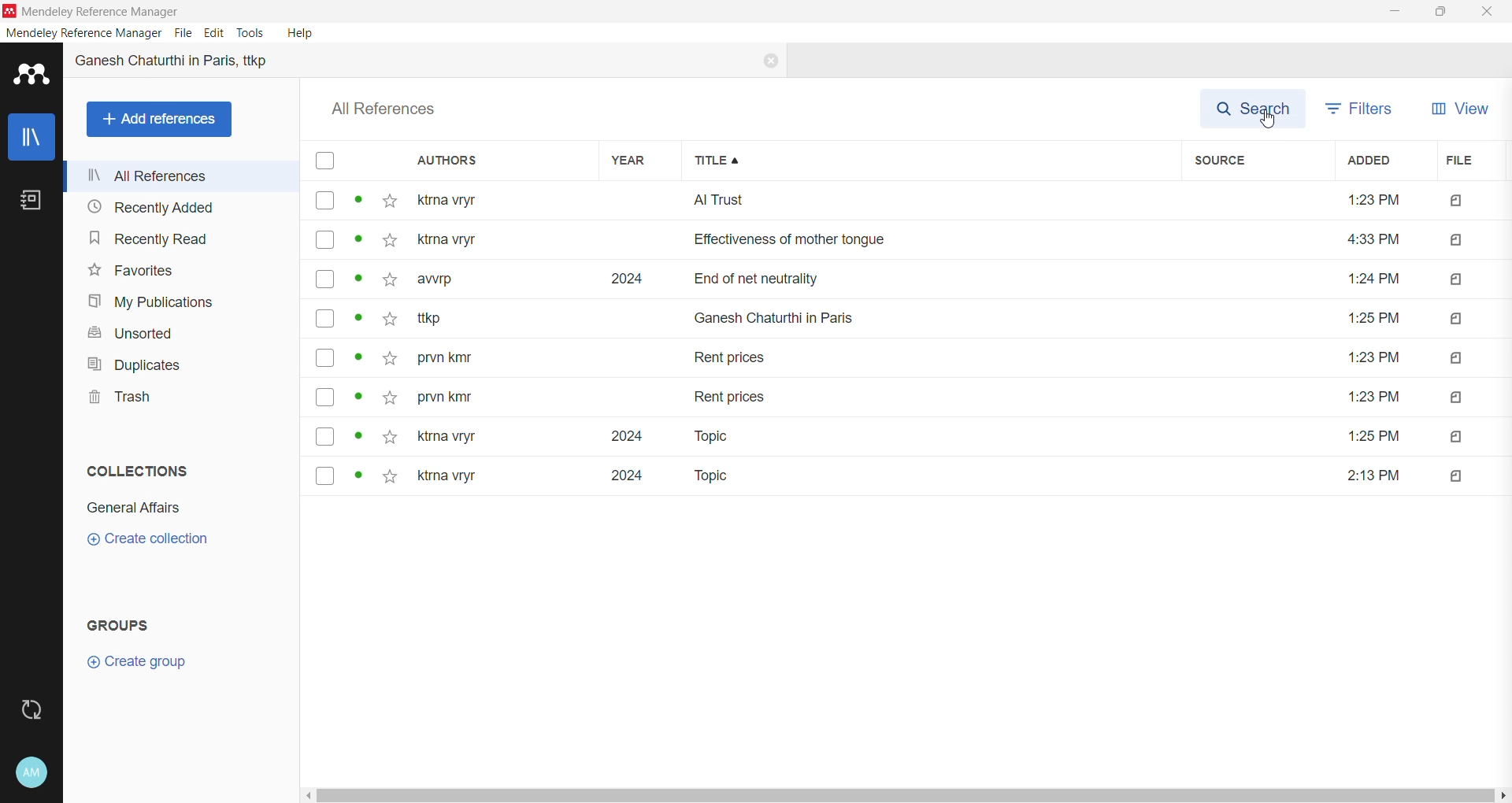 This screenshot has height=803, width=1512. Describe the element at coordinates (83, 33) in the screenshot. I see `Mendeley Reference Manager` at that location.